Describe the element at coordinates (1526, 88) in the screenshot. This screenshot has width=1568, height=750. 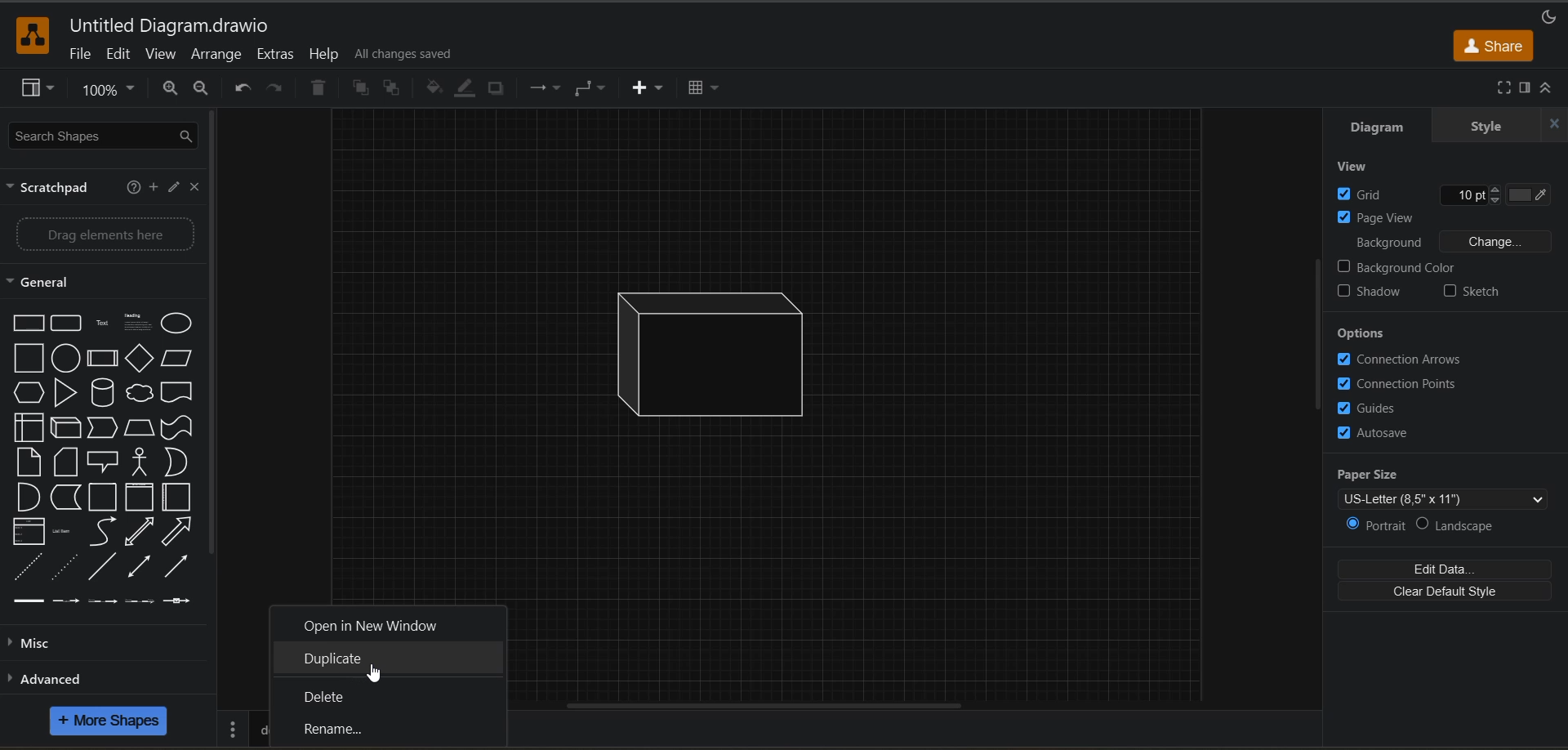
I see `format` at that location.